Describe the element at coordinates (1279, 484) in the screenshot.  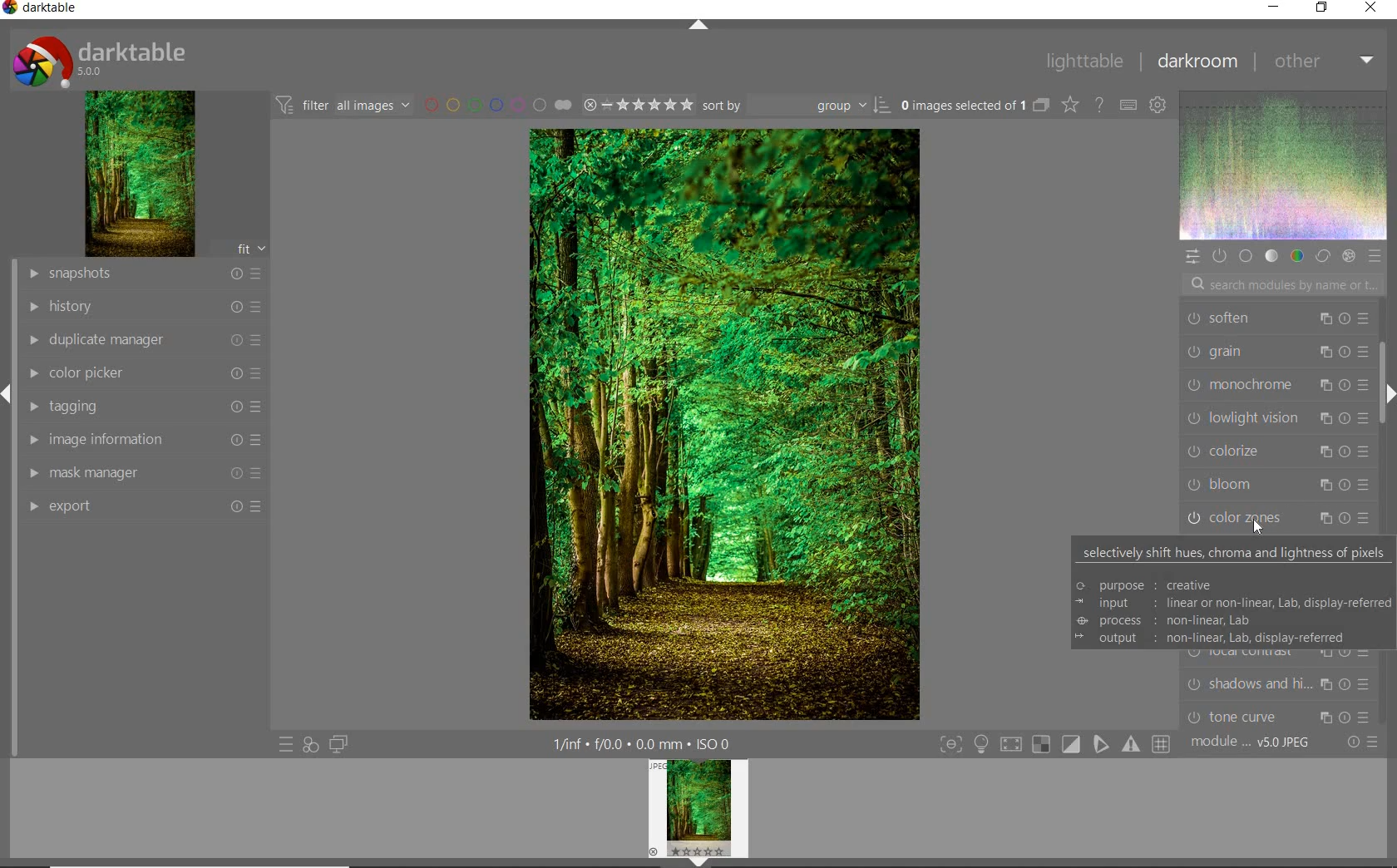
I see `bloom` at that location.